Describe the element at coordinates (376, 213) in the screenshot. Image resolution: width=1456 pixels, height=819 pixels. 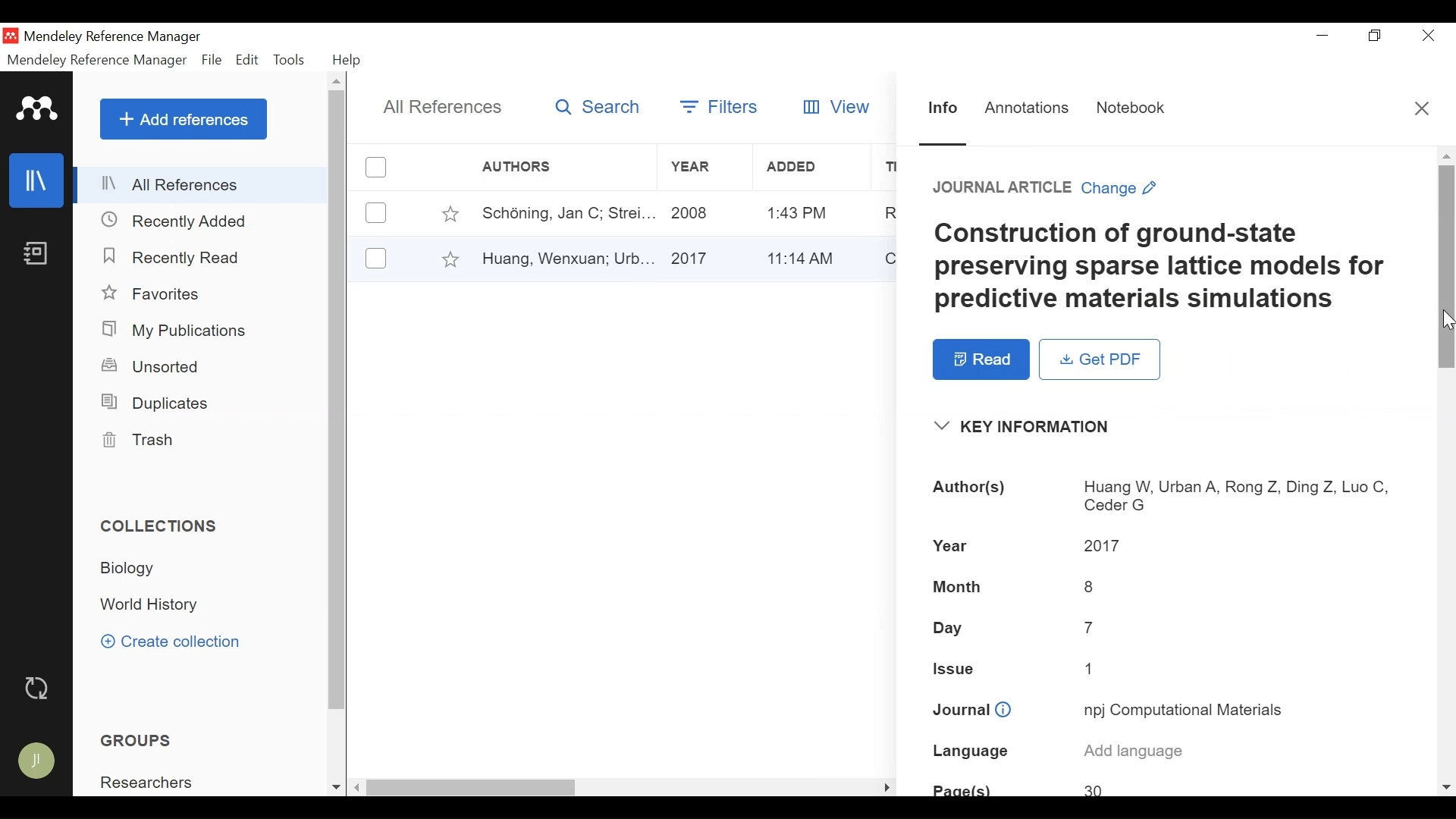
I see `(un)select` at that location.